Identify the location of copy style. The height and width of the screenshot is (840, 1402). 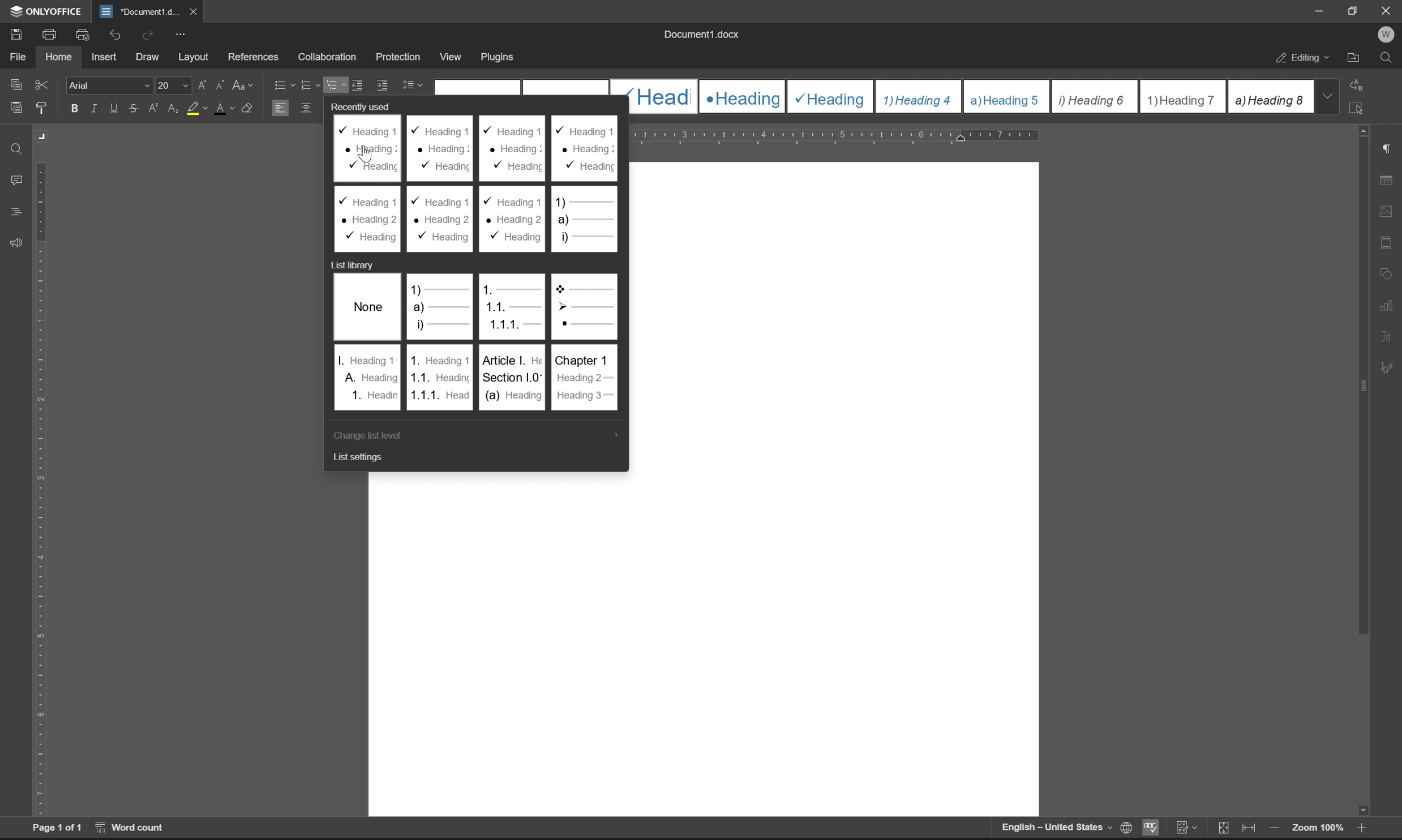
(41, 109).